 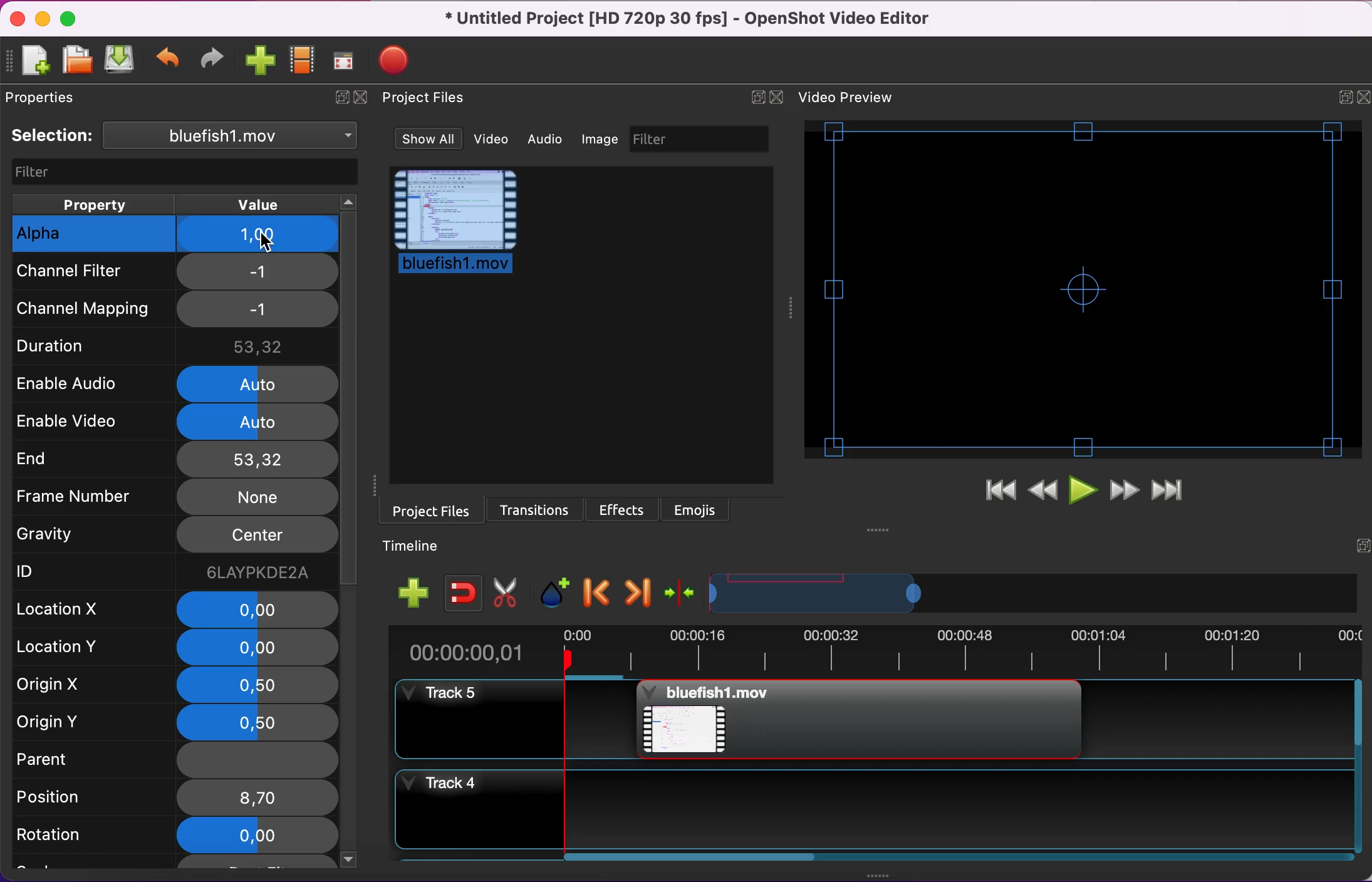 I want to click on next marker, so click(x=637, y=594).